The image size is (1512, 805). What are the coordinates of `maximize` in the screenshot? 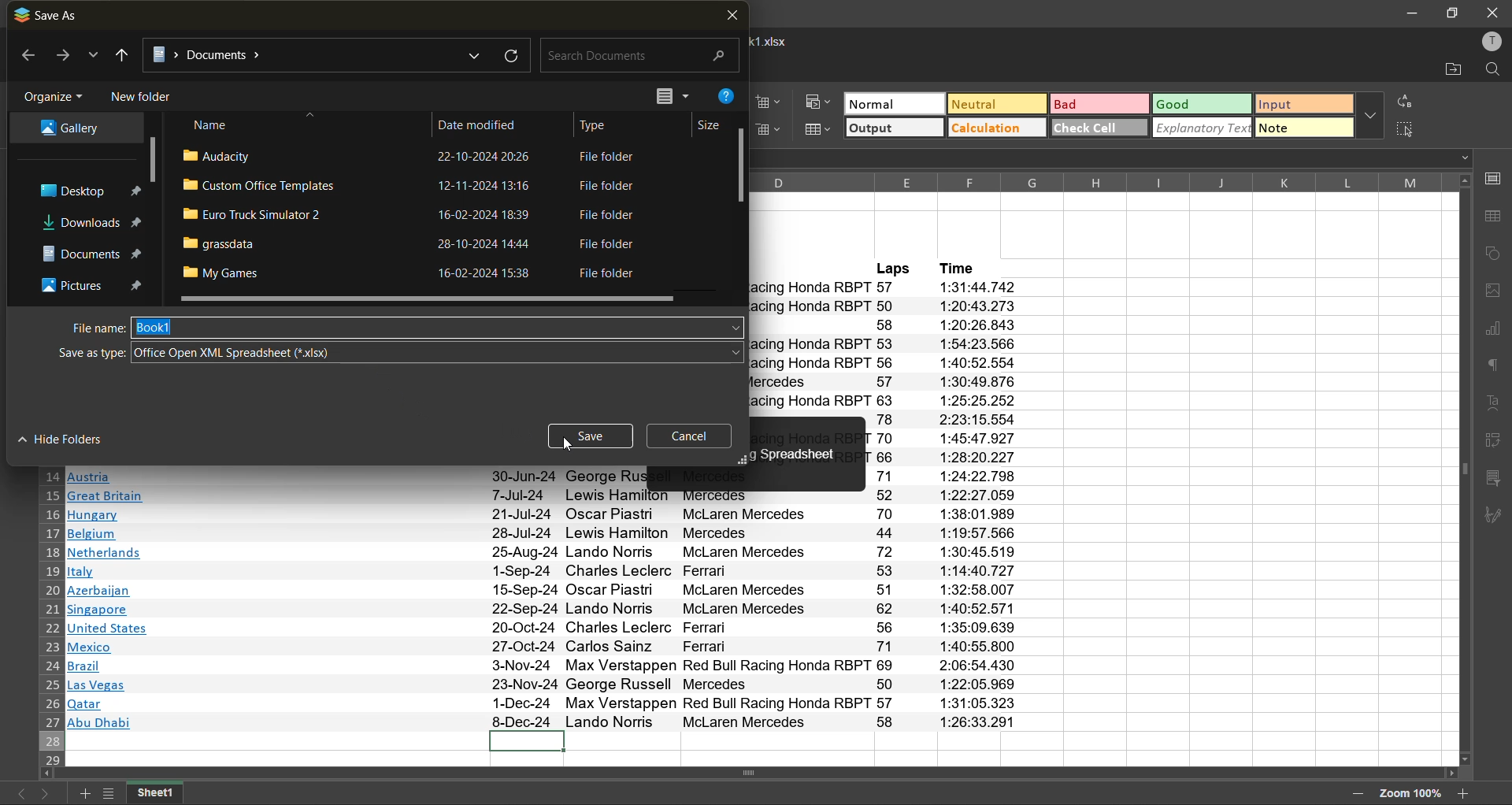 It's located at (1451, 13).